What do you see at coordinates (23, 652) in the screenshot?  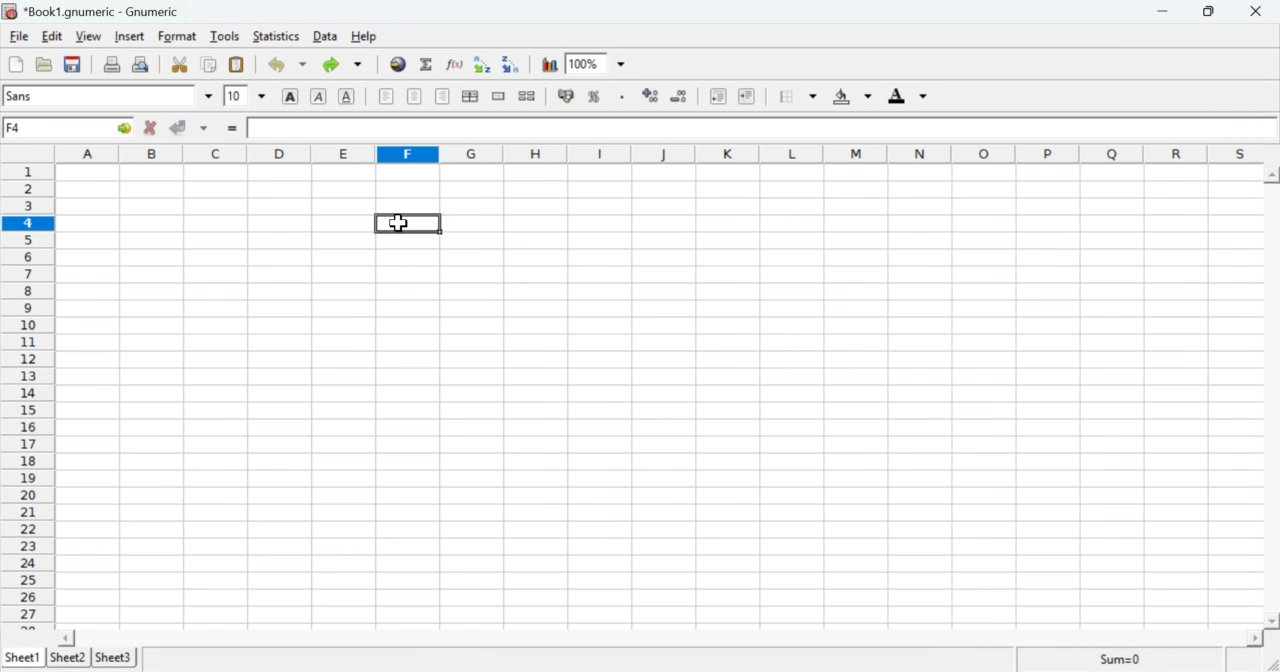 I see `Sheet1` at bounding box center [23, 652].